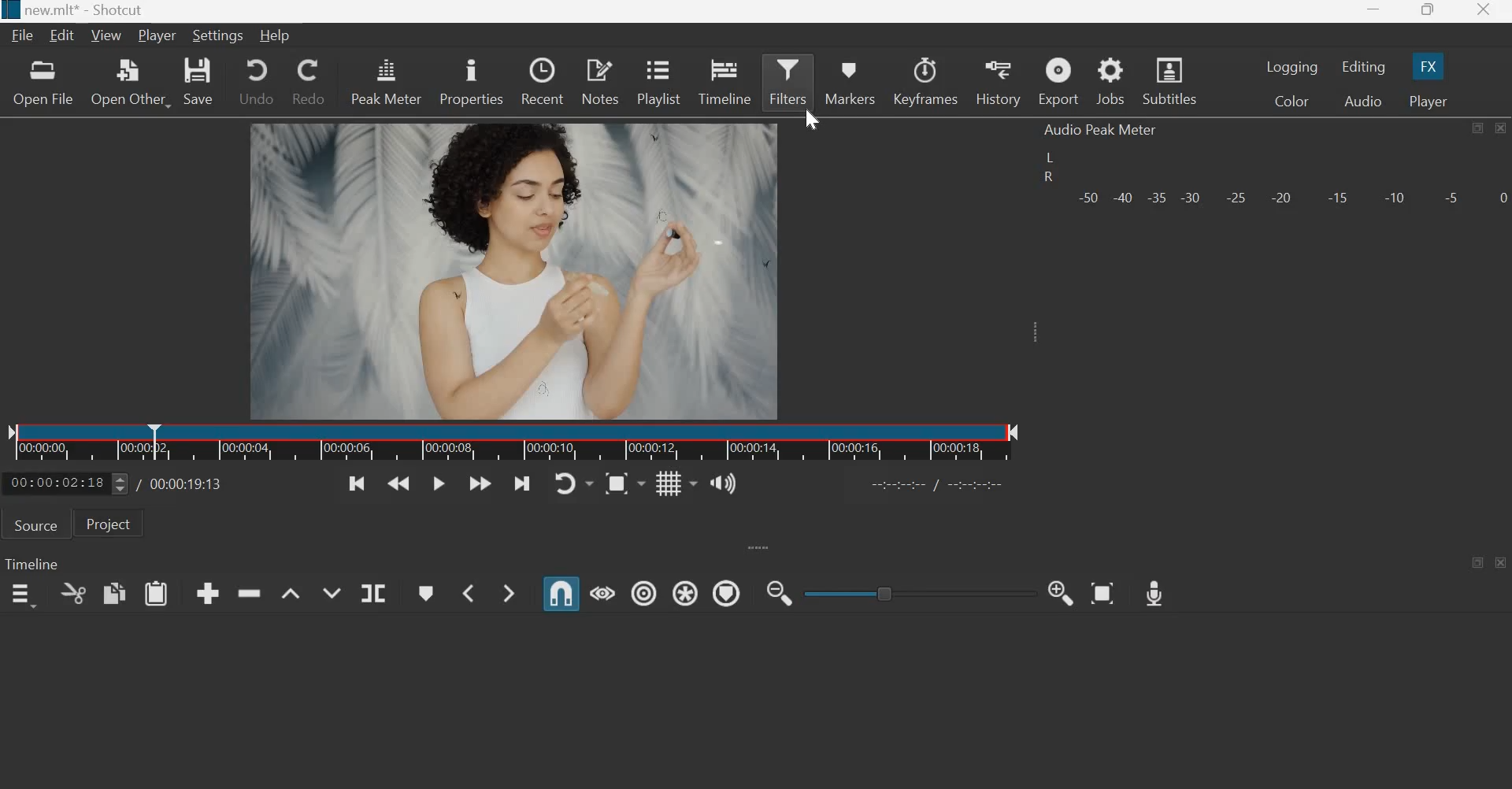 Image resolution: width=1512 pixels, height=789 pixels. What do you see at coordinates (1501, 562) in the screenshot?
I see `close` at bounding box center [1501, 562].